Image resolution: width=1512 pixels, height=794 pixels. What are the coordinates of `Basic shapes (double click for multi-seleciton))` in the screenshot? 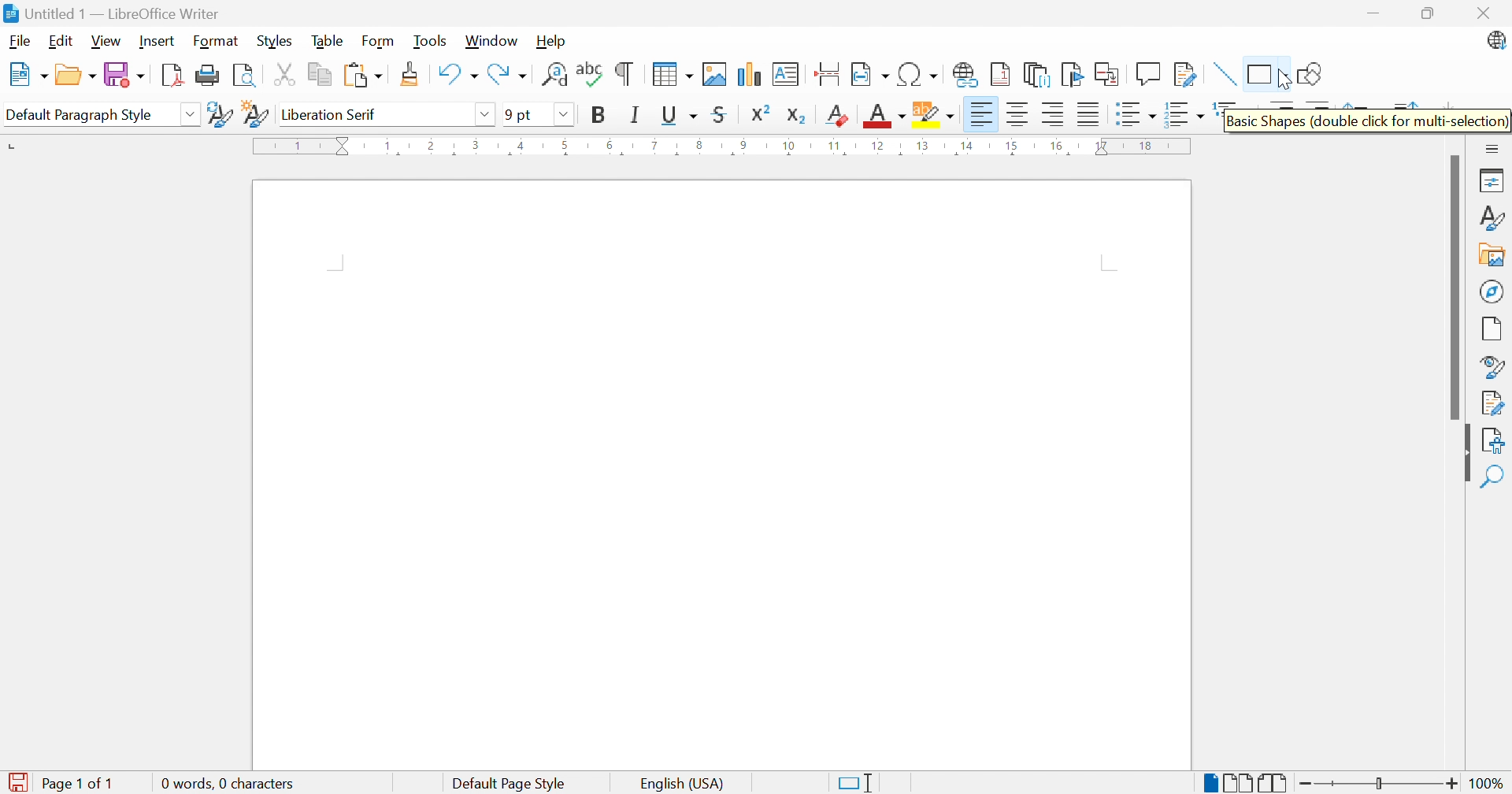 It's located at (1368, 121).